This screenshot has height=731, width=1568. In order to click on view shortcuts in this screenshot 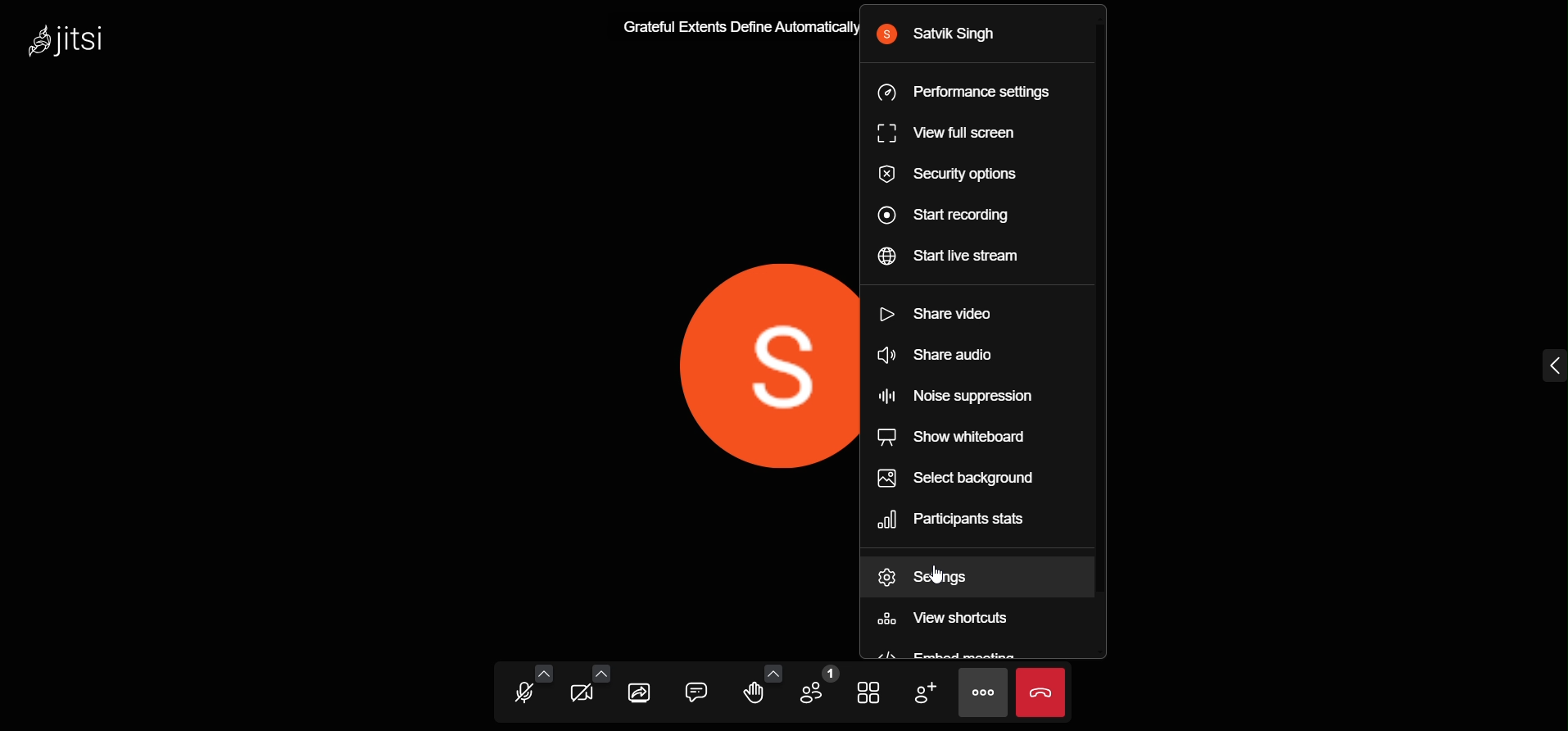, I will do `click(949, 621)`.